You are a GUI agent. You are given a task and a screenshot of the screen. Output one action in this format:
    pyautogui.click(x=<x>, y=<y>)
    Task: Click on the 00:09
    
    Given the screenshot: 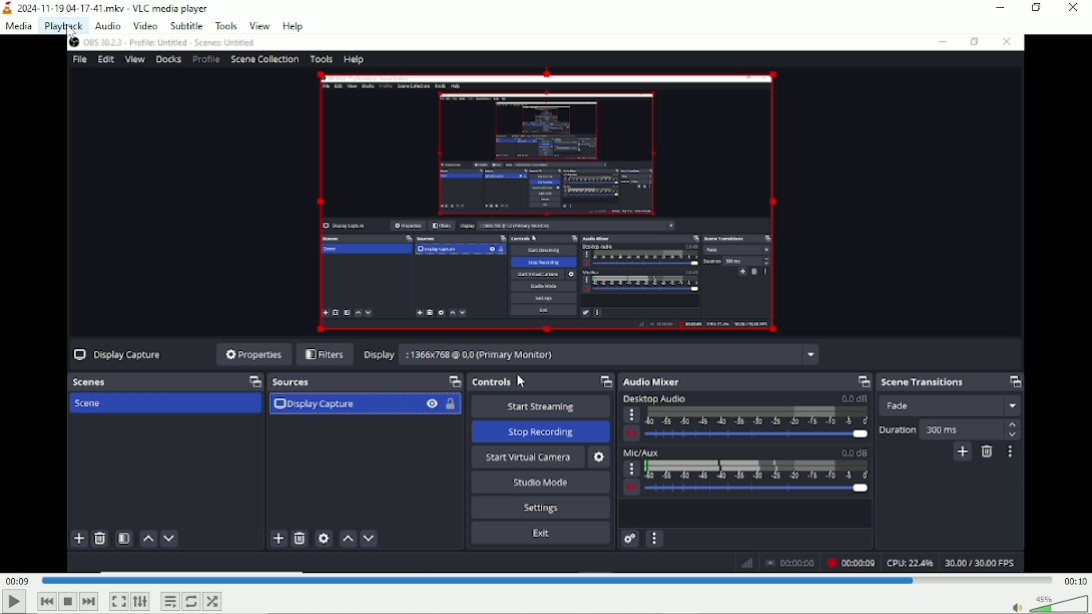 What is the action you would take?
    pyautogui.click(x=18, y=580)
    